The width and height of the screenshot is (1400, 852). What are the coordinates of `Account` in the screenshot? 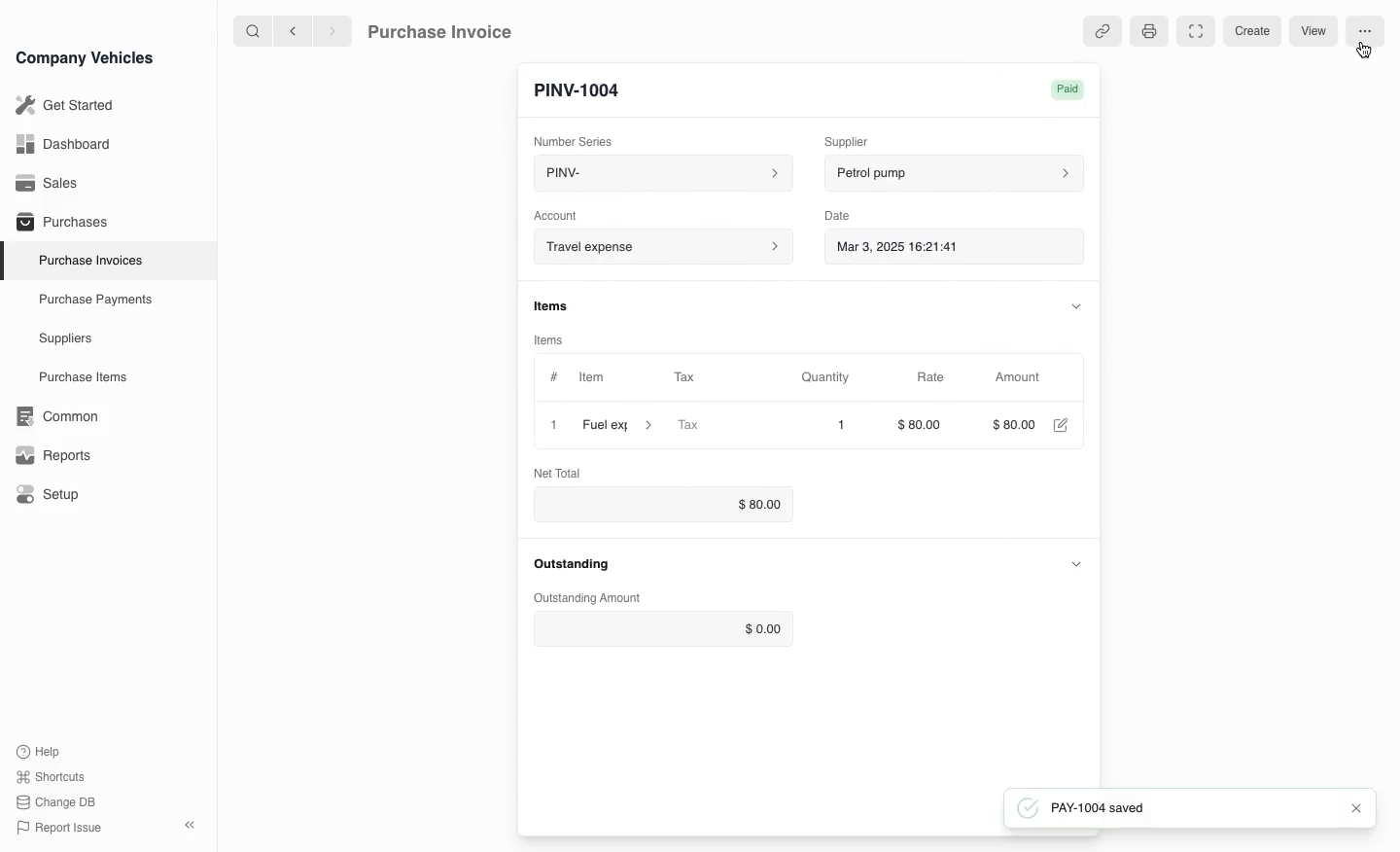 It's located at (669, 246).